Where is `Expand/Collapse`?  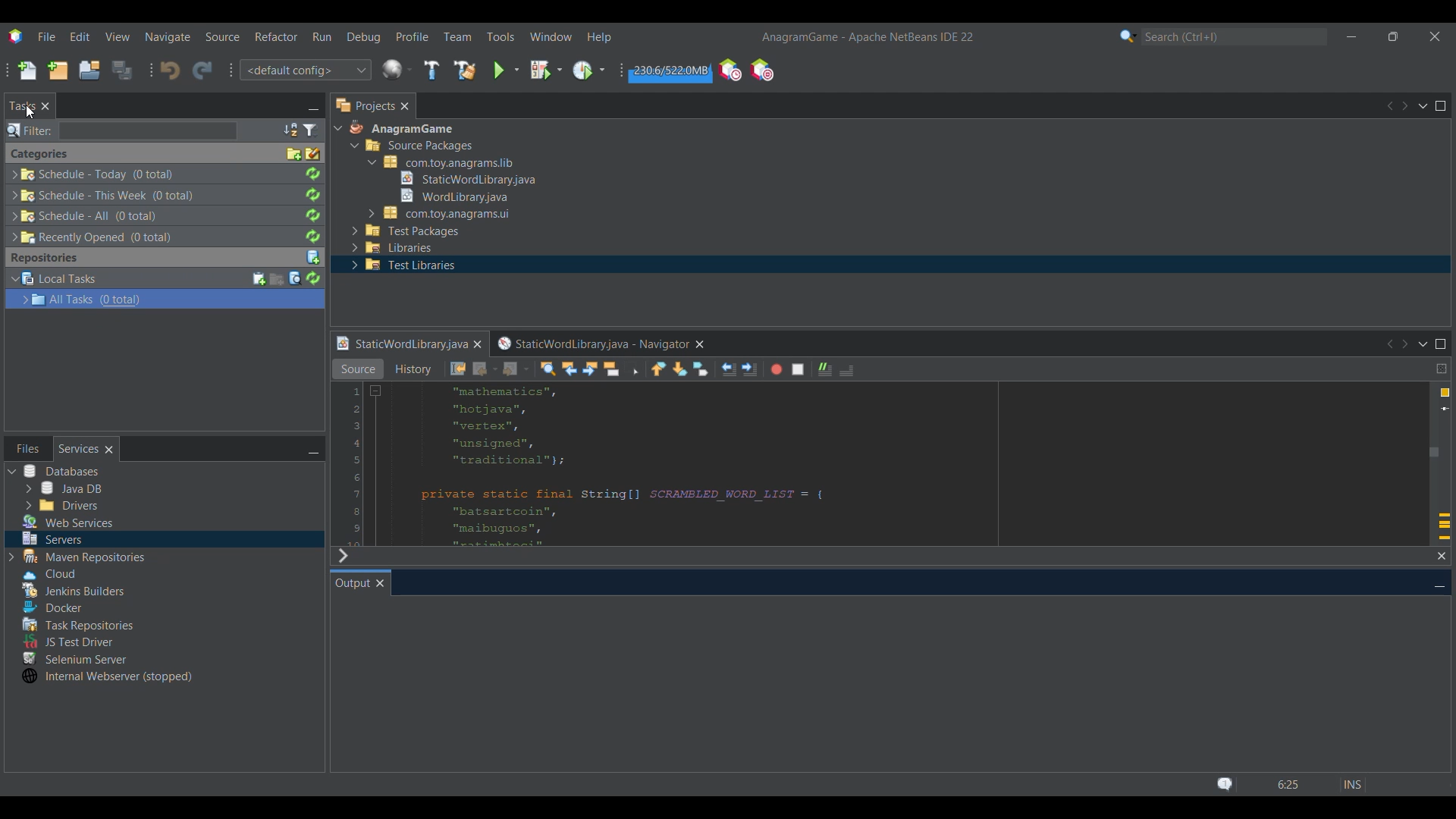 Expand/Collapse is located at coordinates (20, 290).